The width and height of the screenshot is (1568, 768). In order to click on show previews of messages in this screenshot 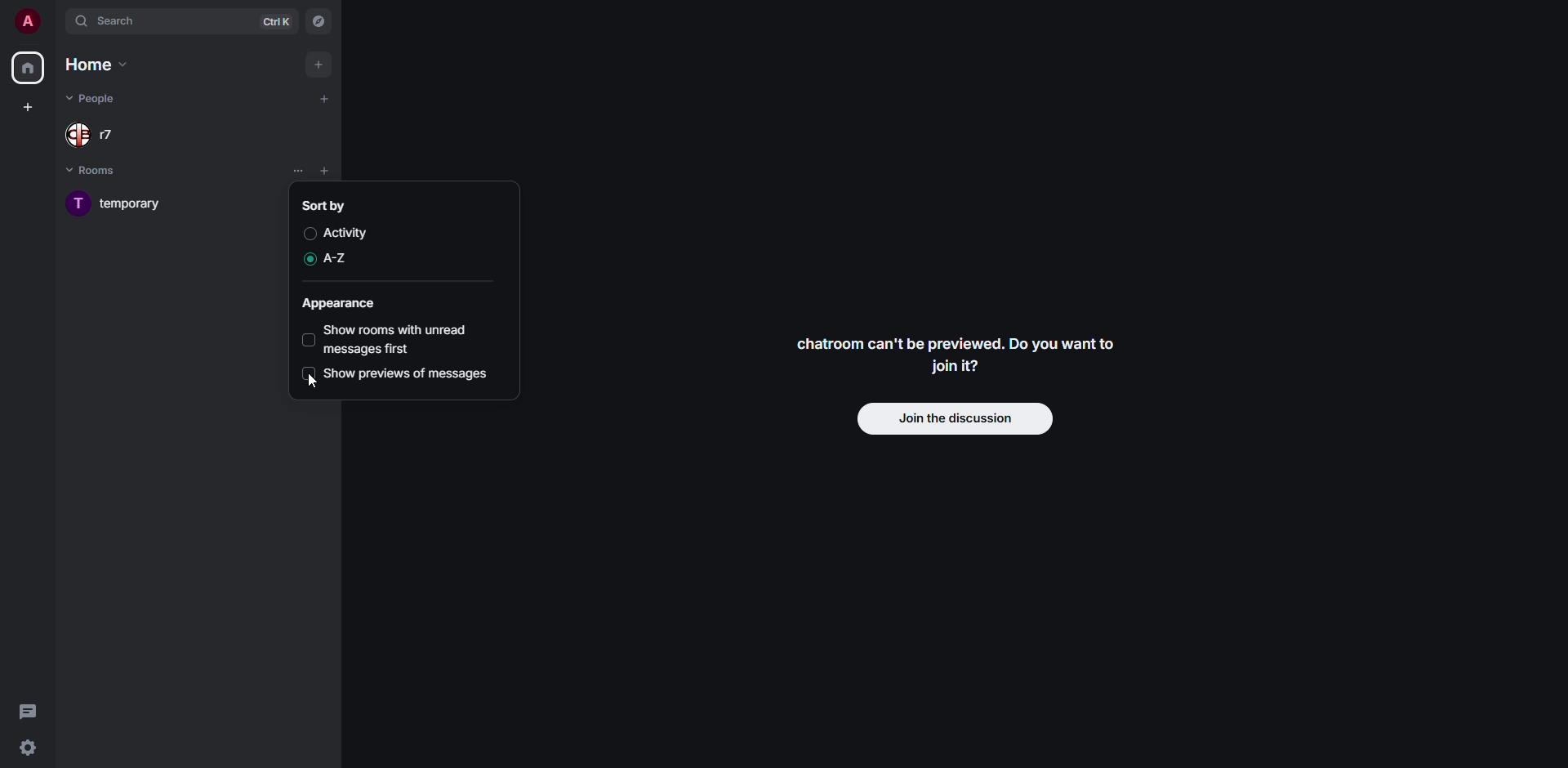, I will do `click(410, 373)`.